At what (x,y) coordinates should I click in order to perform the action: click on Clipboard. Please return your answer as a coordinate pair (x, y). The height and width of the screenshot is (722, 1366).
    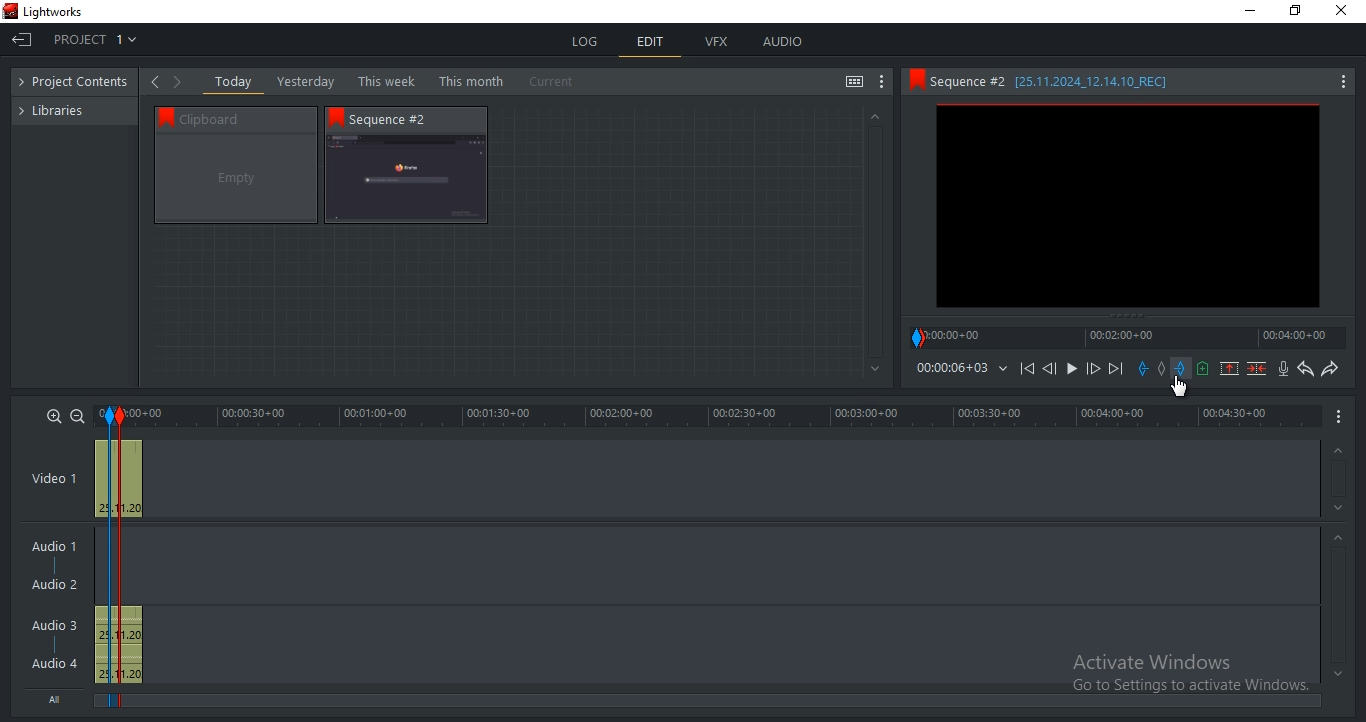
    Looking at the image, I should click on (245, 118).